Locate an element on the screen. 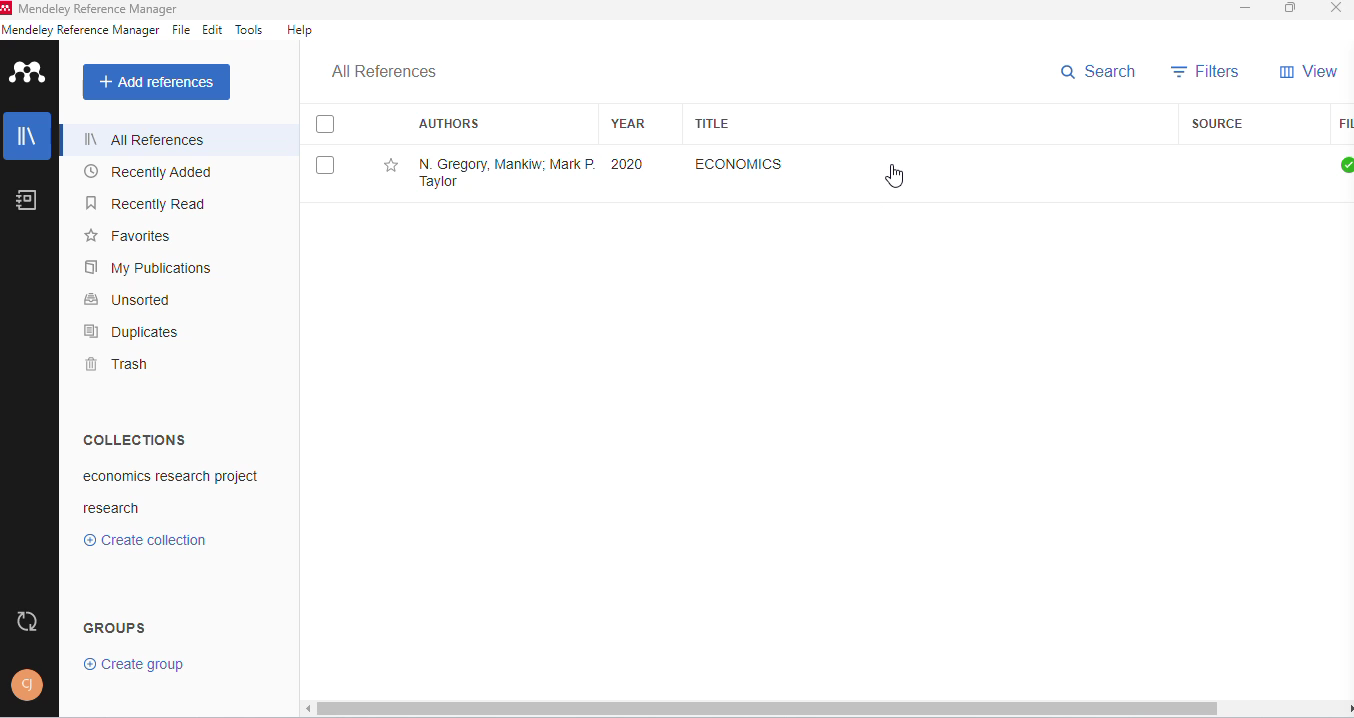 Image resolution: width=1354 pixels, height=718 pixels. create collection is located at coordinates (145, 540).